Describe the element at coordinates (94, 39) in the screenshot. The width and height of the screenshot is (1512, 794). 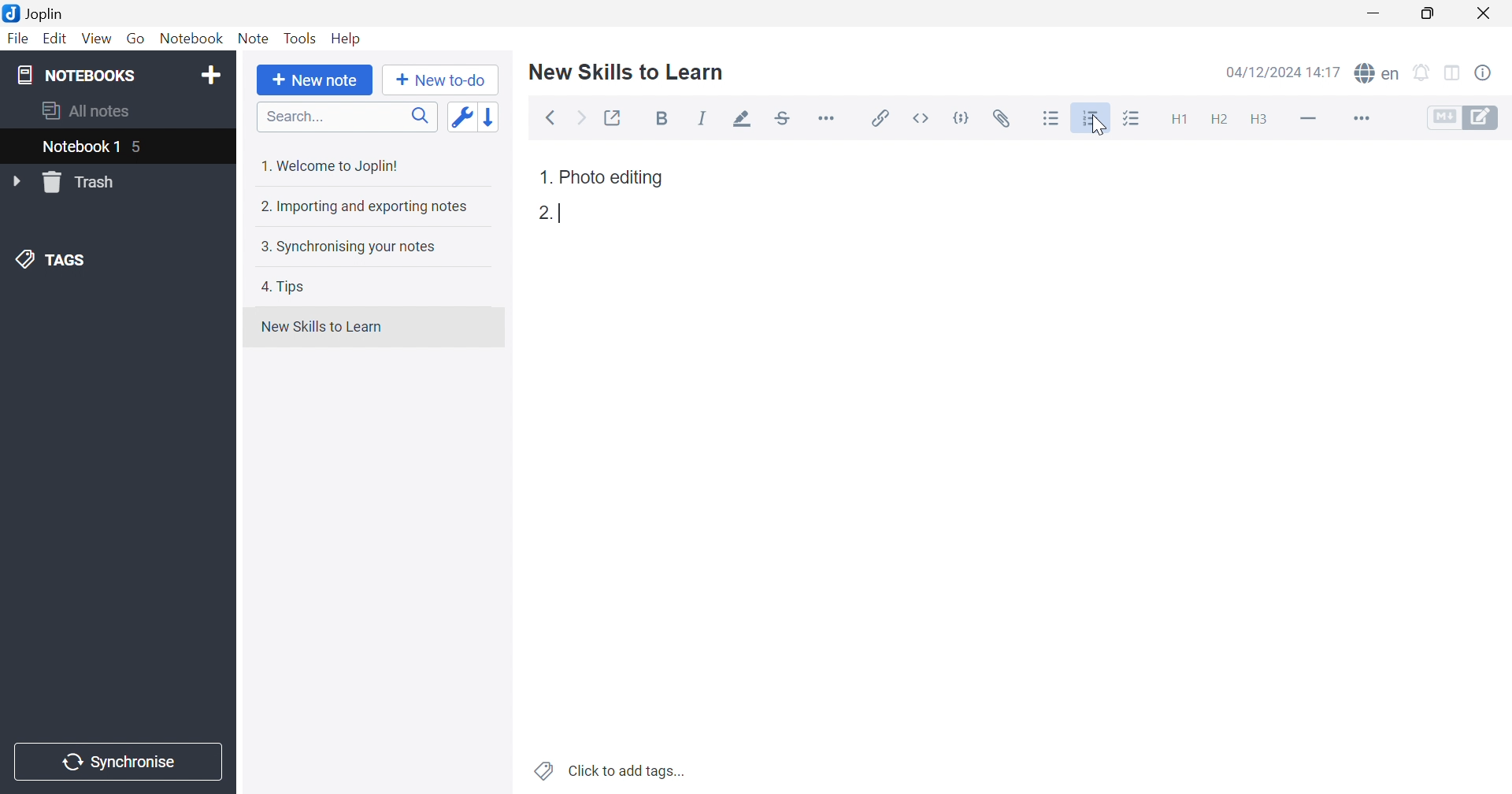
I see `View` at that location.